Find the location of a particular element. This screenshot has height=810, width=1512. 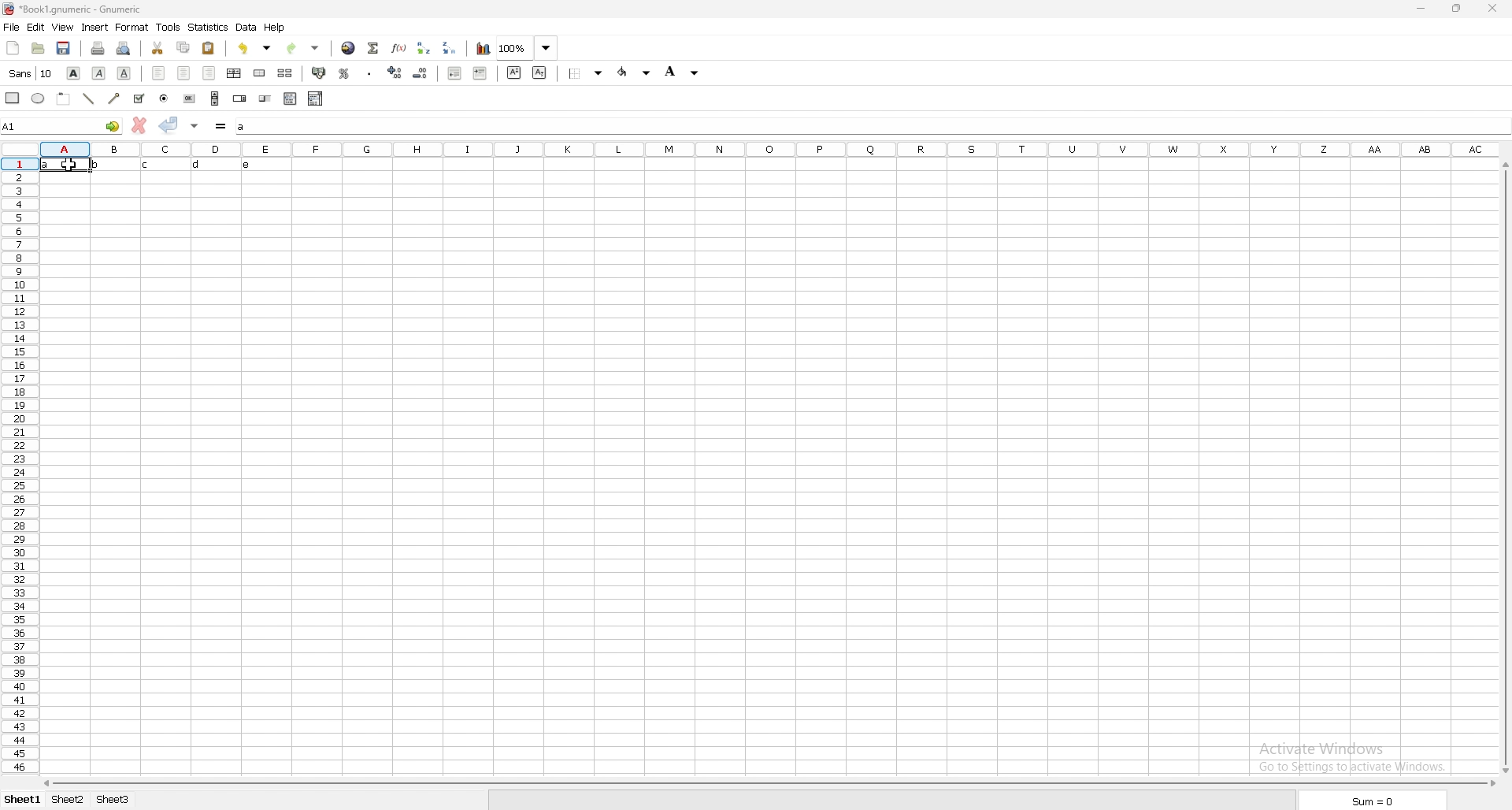

cancel change is located at coordinates (139, 124).